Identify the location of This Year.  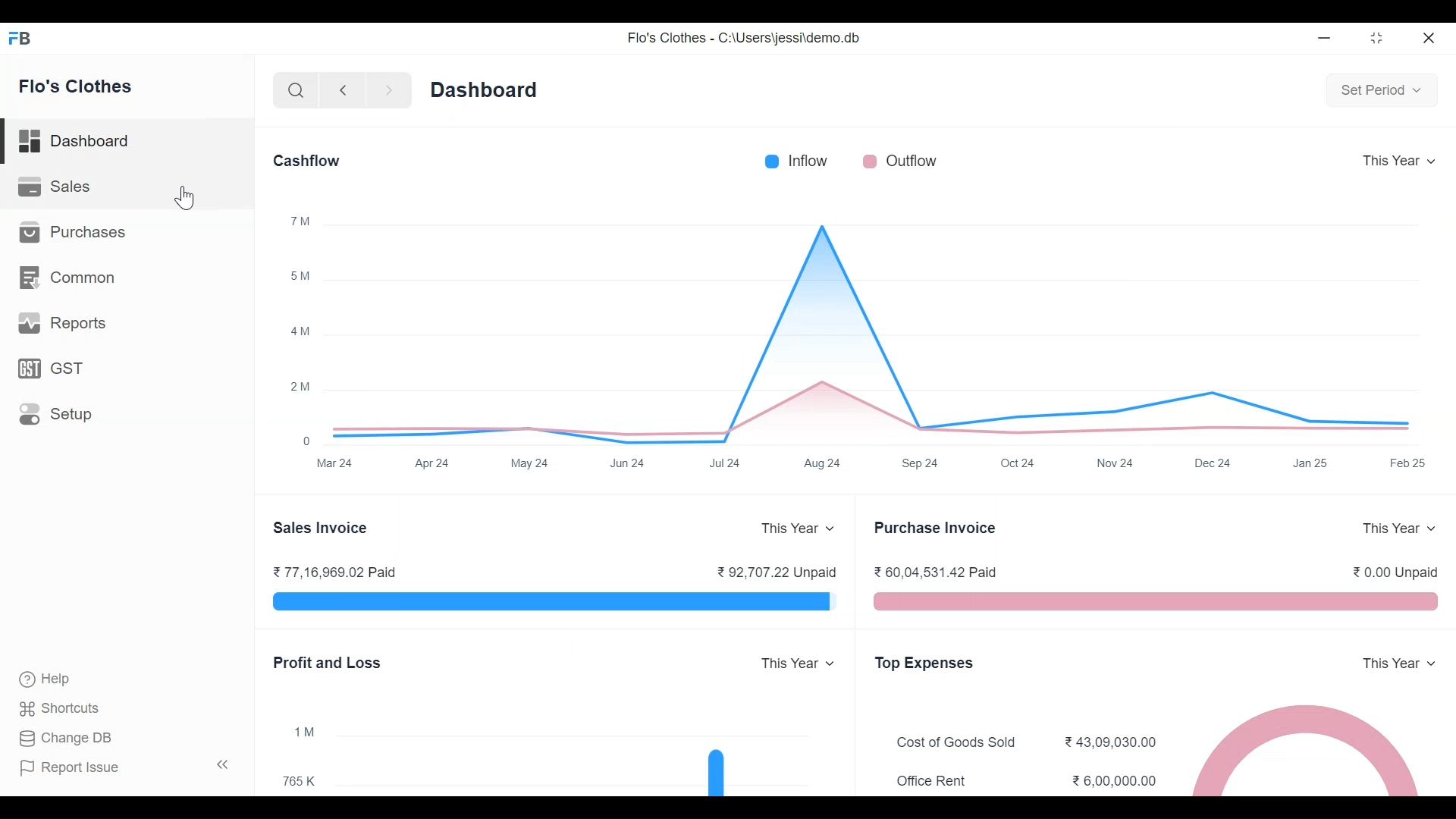
(1391, 529).